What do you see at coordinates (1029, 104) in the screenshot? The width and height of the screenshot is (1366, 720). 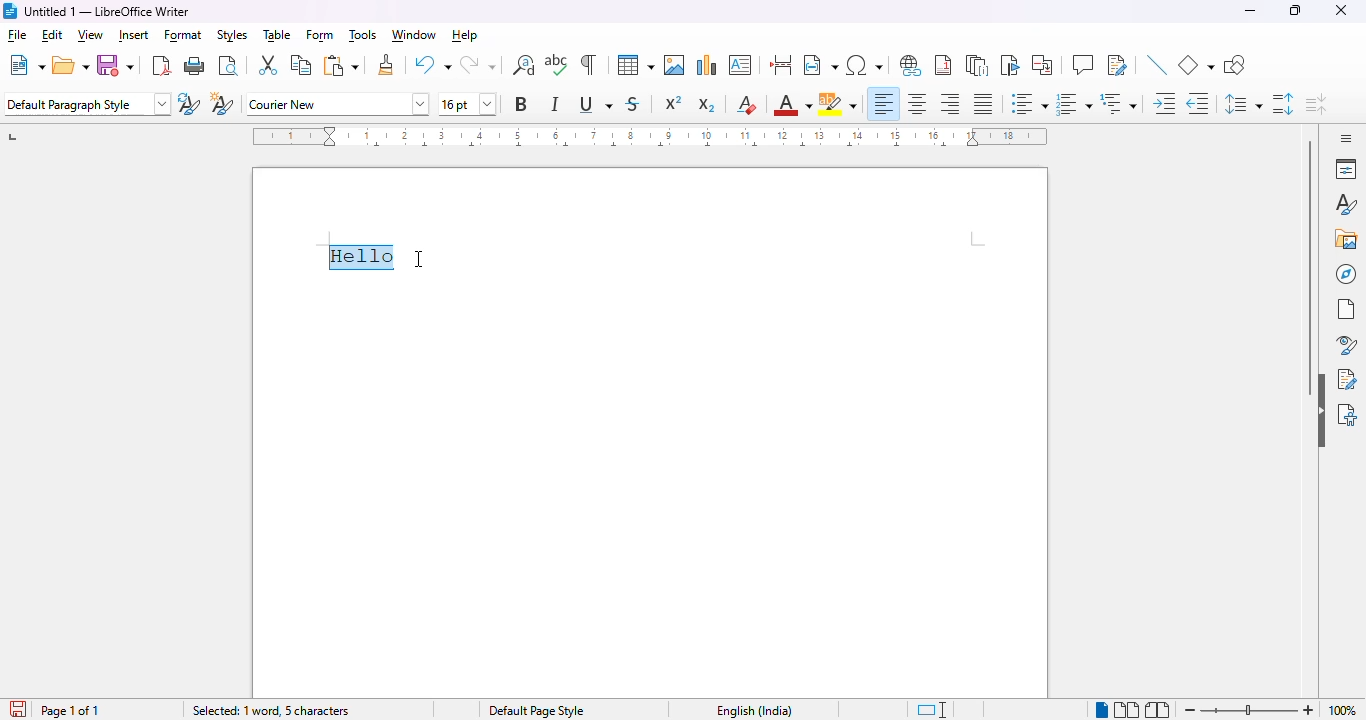 I see `toggle unordered list` at bounding box center [1029, 104].